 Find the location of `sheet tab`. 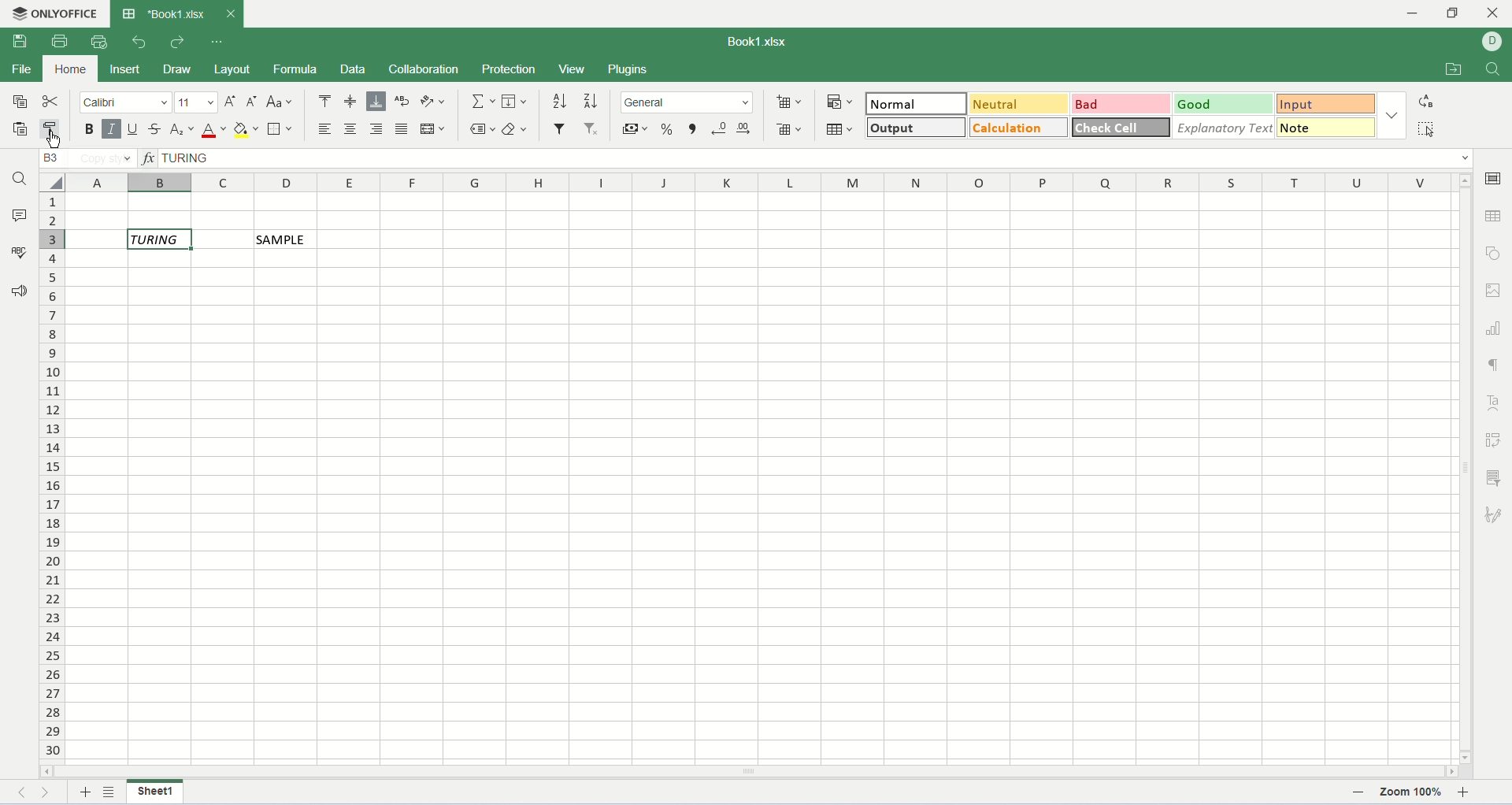

sheet tab is located at coordinates (165, 13).